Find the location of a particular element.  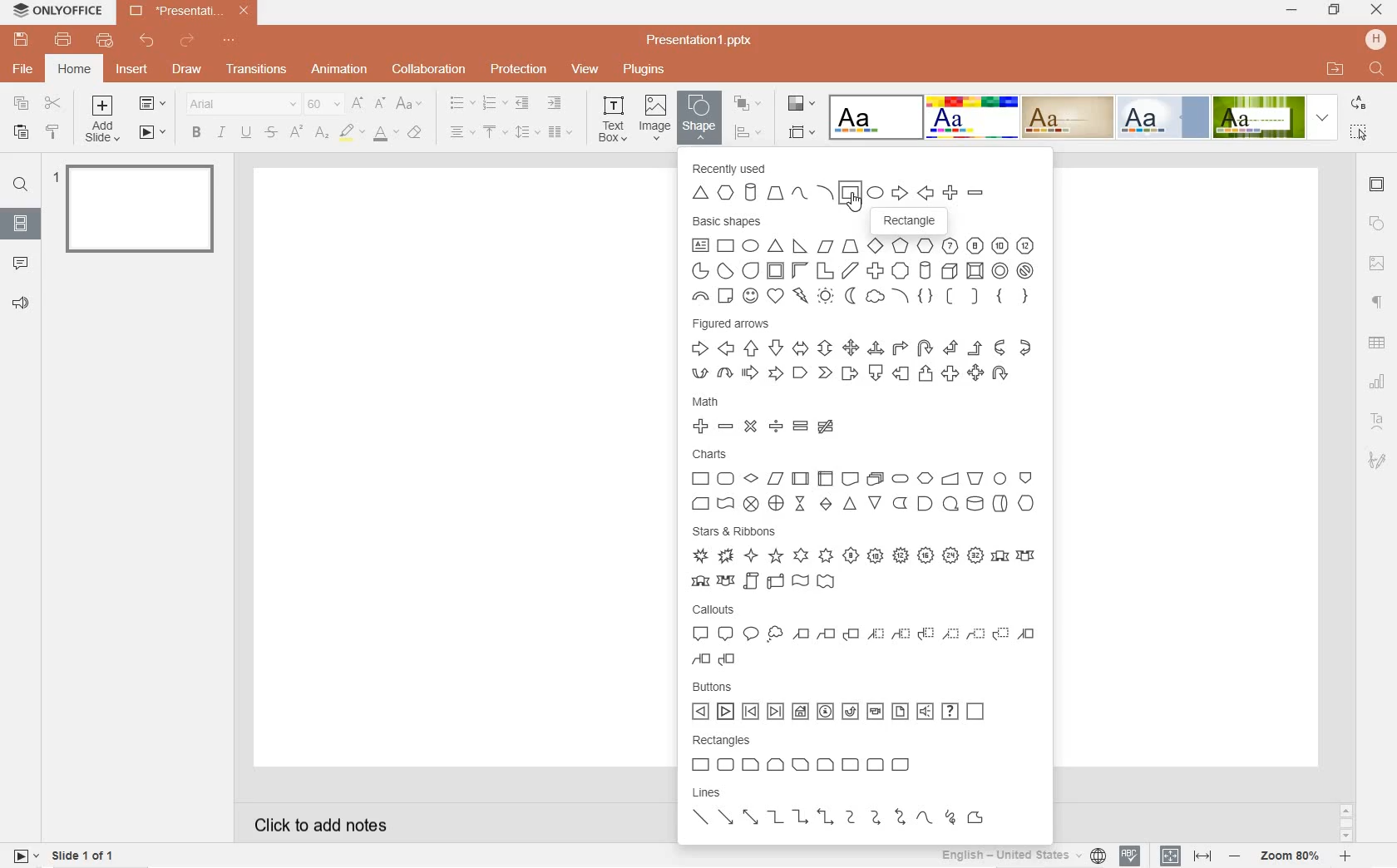

ONLYOFFICE is located at coordinates (59, 13).